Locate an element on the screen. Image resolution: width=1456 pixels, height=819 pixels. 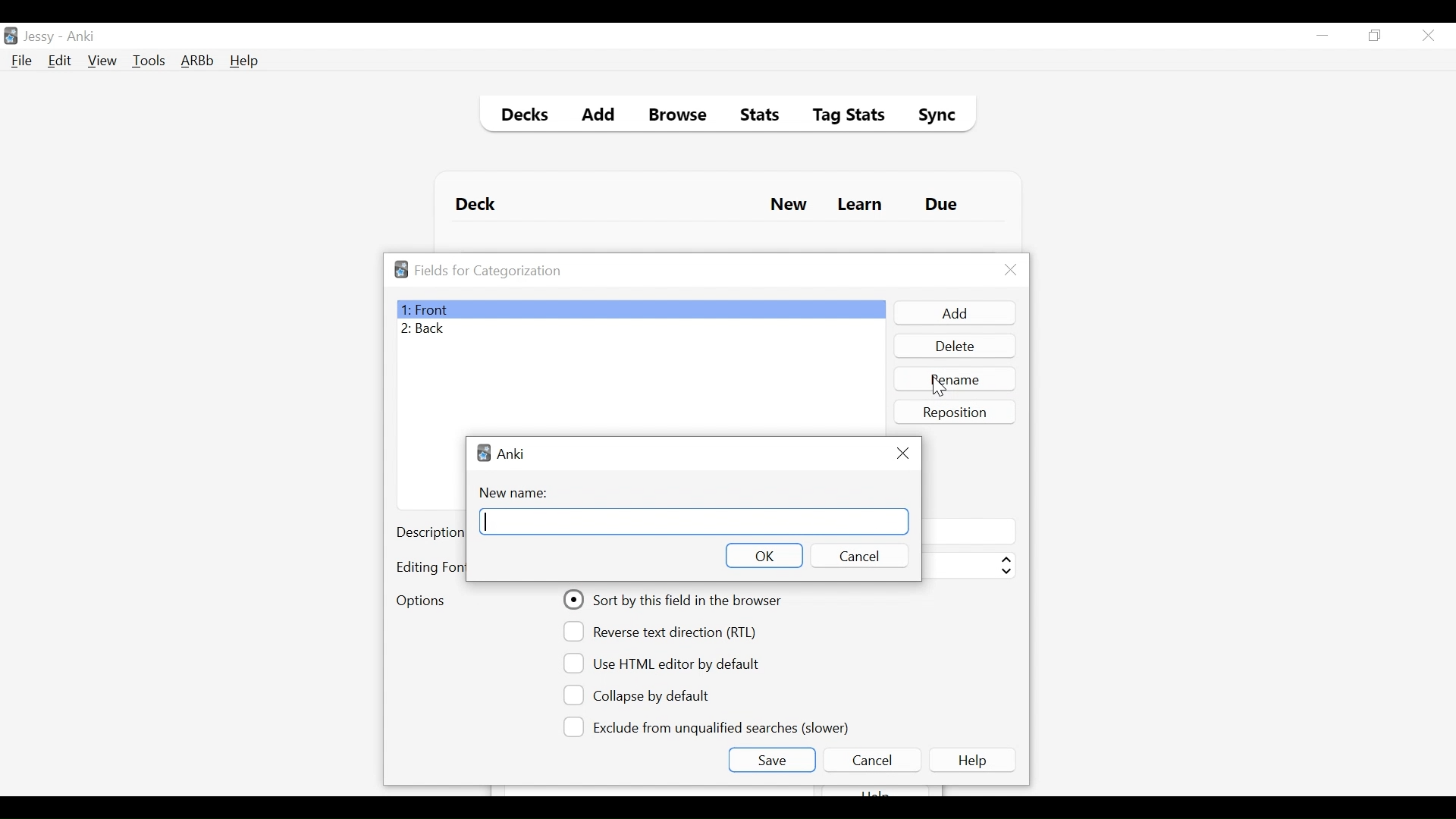
(un)select Exclude from unqualified searches is located at coordinates (709, 726).